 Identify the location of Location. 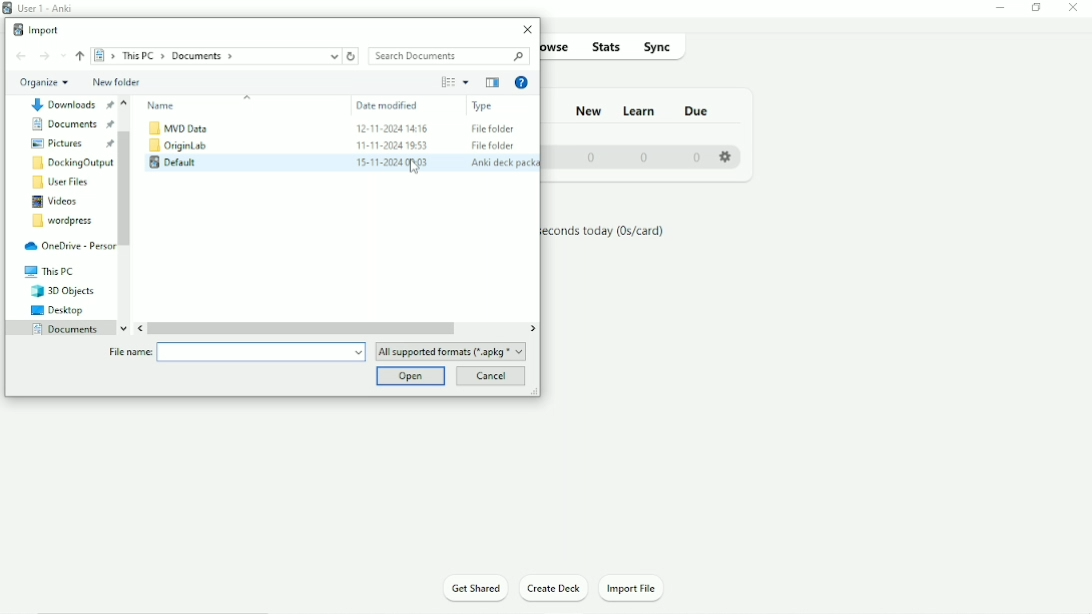
(216, 57).